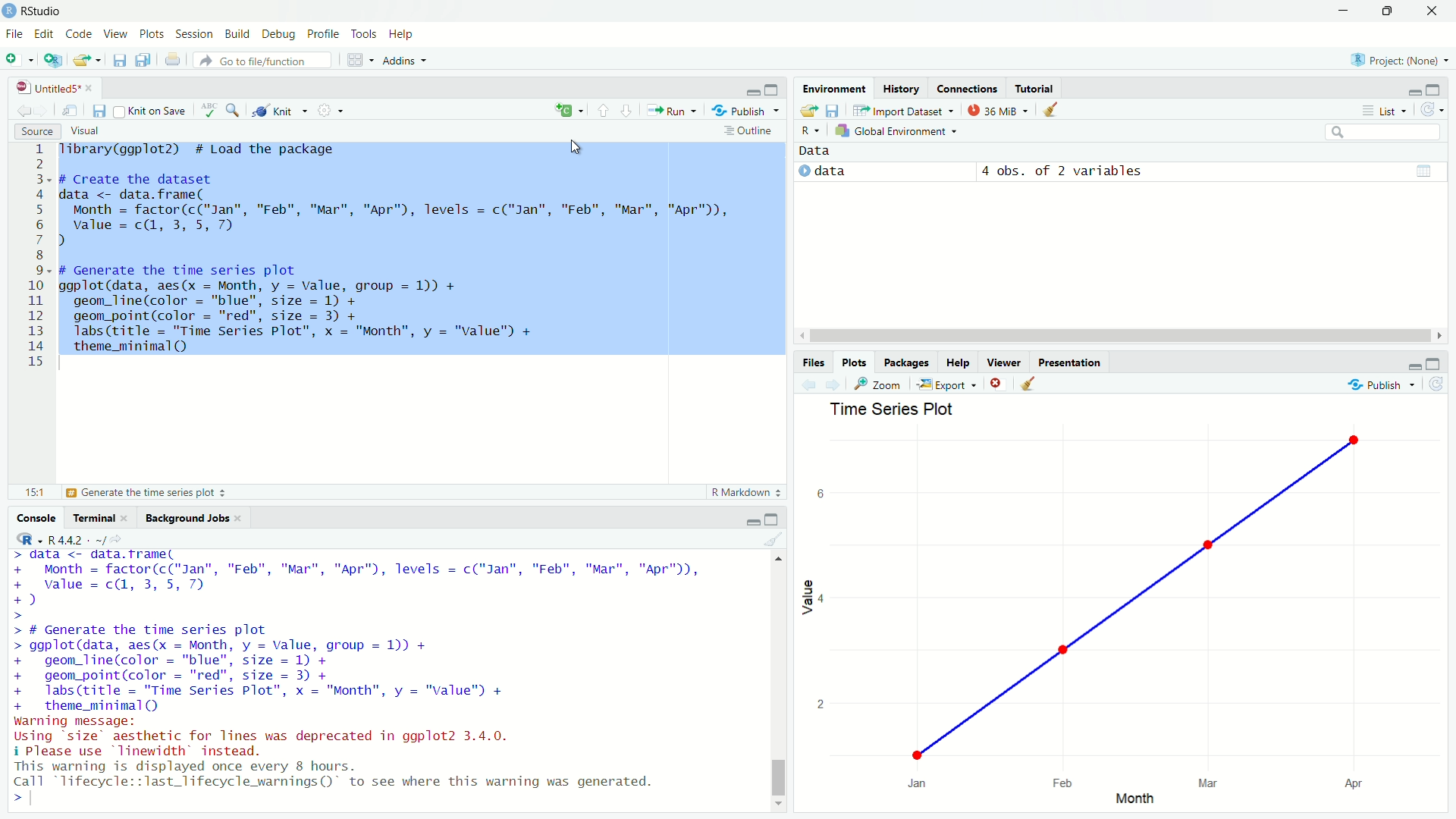 The image size is (1456, 819). Describe the element at coordinates (241, 516) in the screenshot. I see `close` at that location.